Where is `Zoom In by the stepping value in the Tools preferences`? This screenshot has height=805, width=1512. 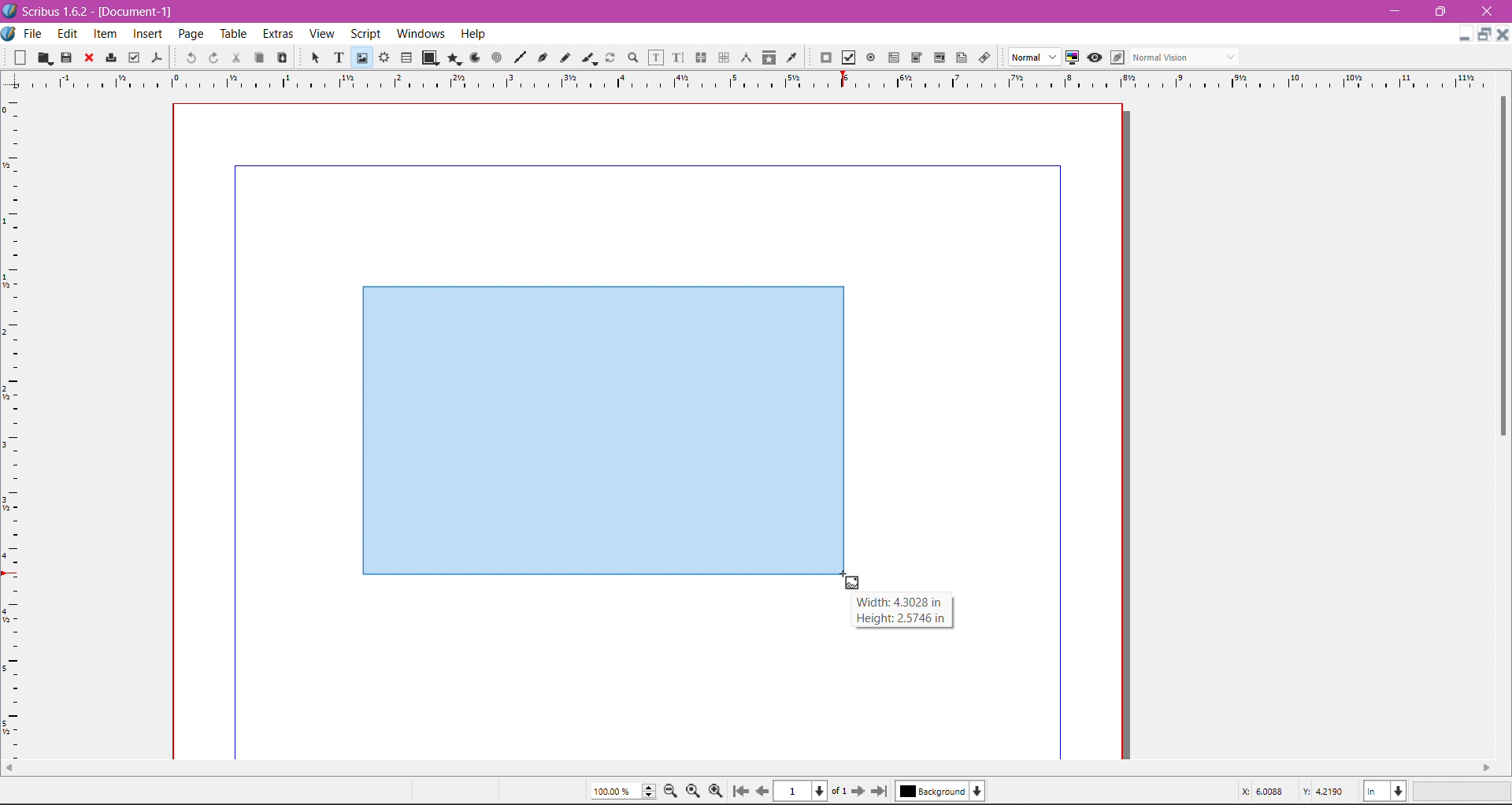 Zoom In by the stepping value in the Tools preferences is located at coordinates (717, 791).